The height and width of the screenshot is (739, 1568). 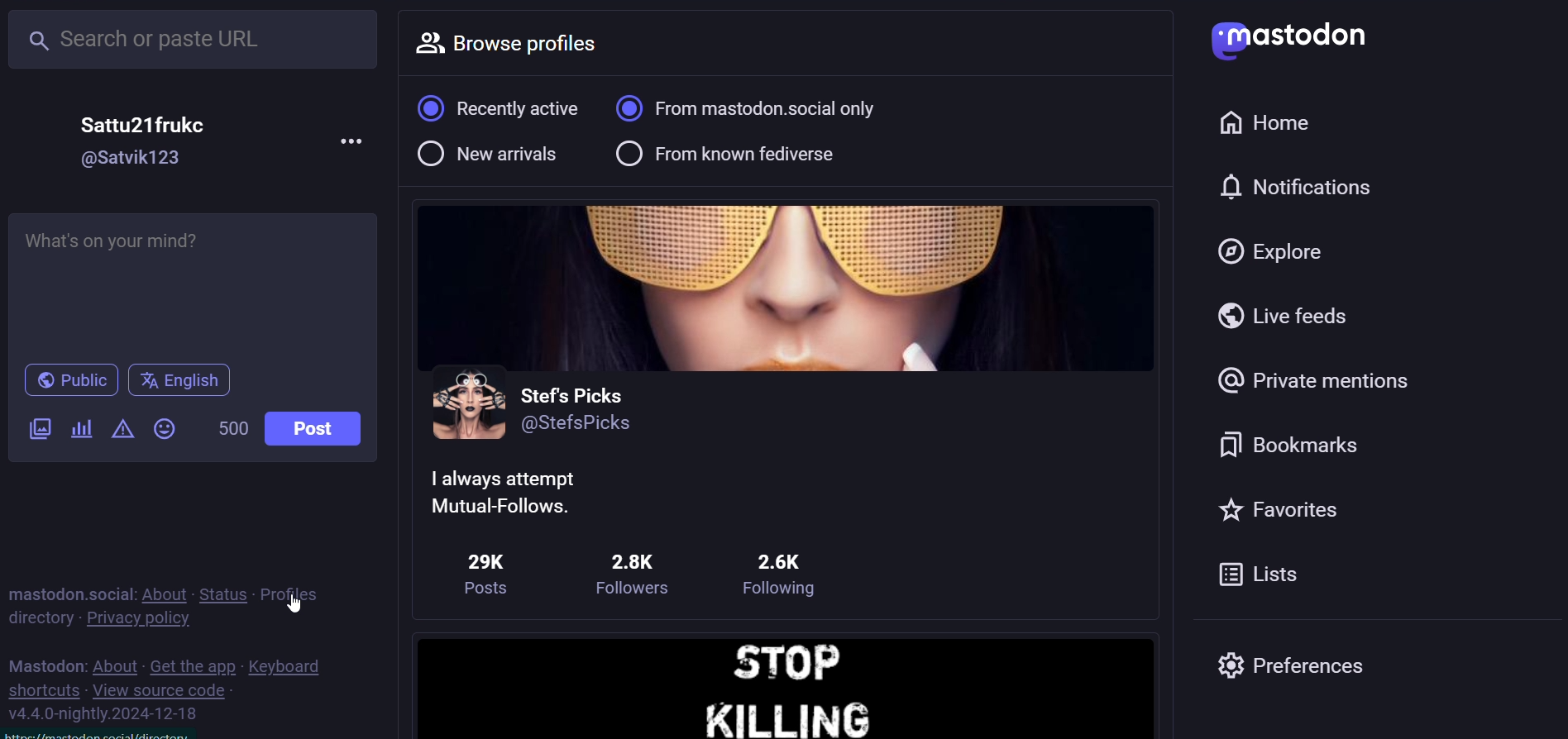 What do you see at coordinates (42, 618) in the screenshot?
I see `directory` at bounding box center [42, 618].